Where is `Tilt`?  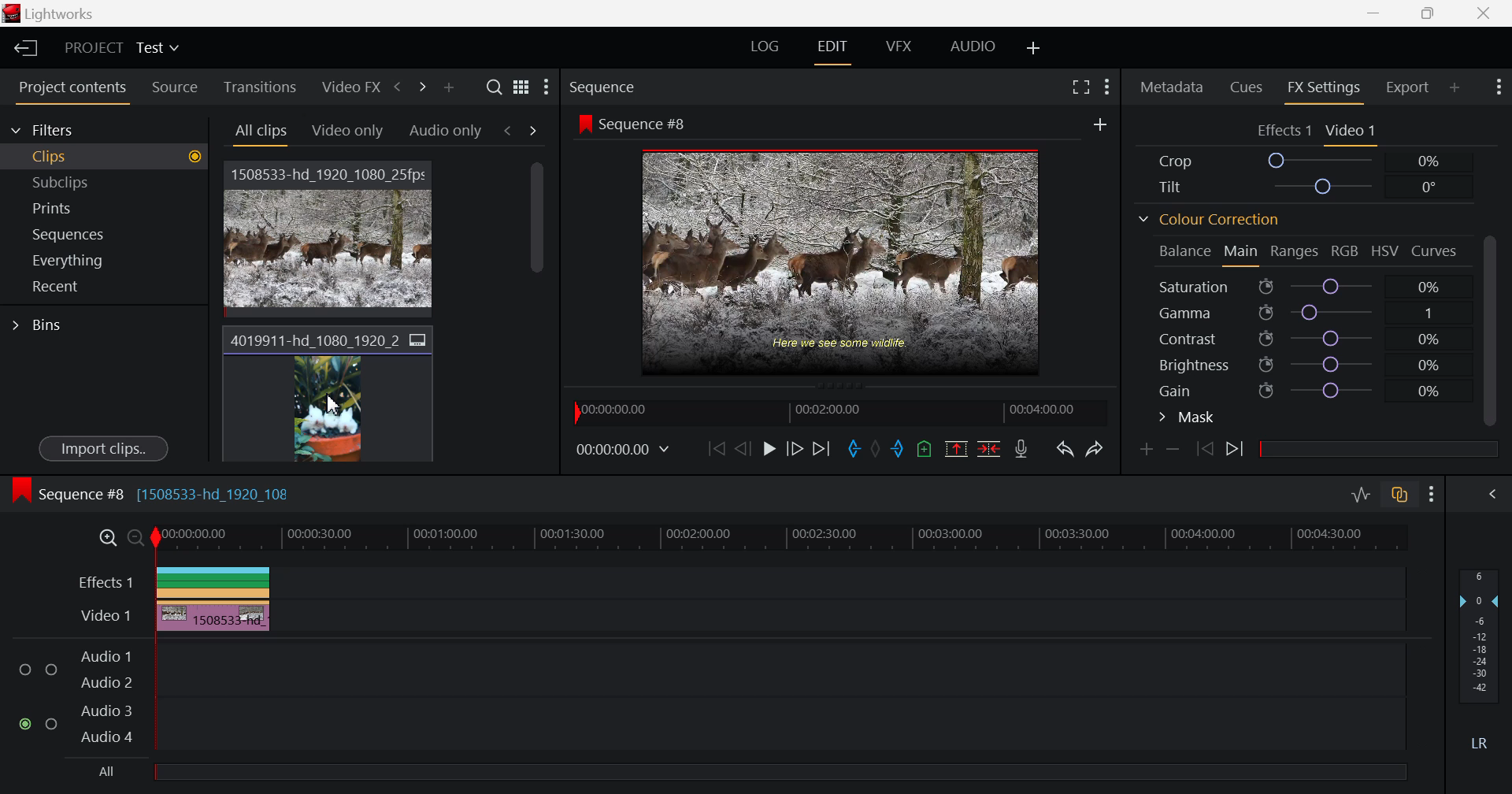 Tilt is located at coordinates (1301, 186).